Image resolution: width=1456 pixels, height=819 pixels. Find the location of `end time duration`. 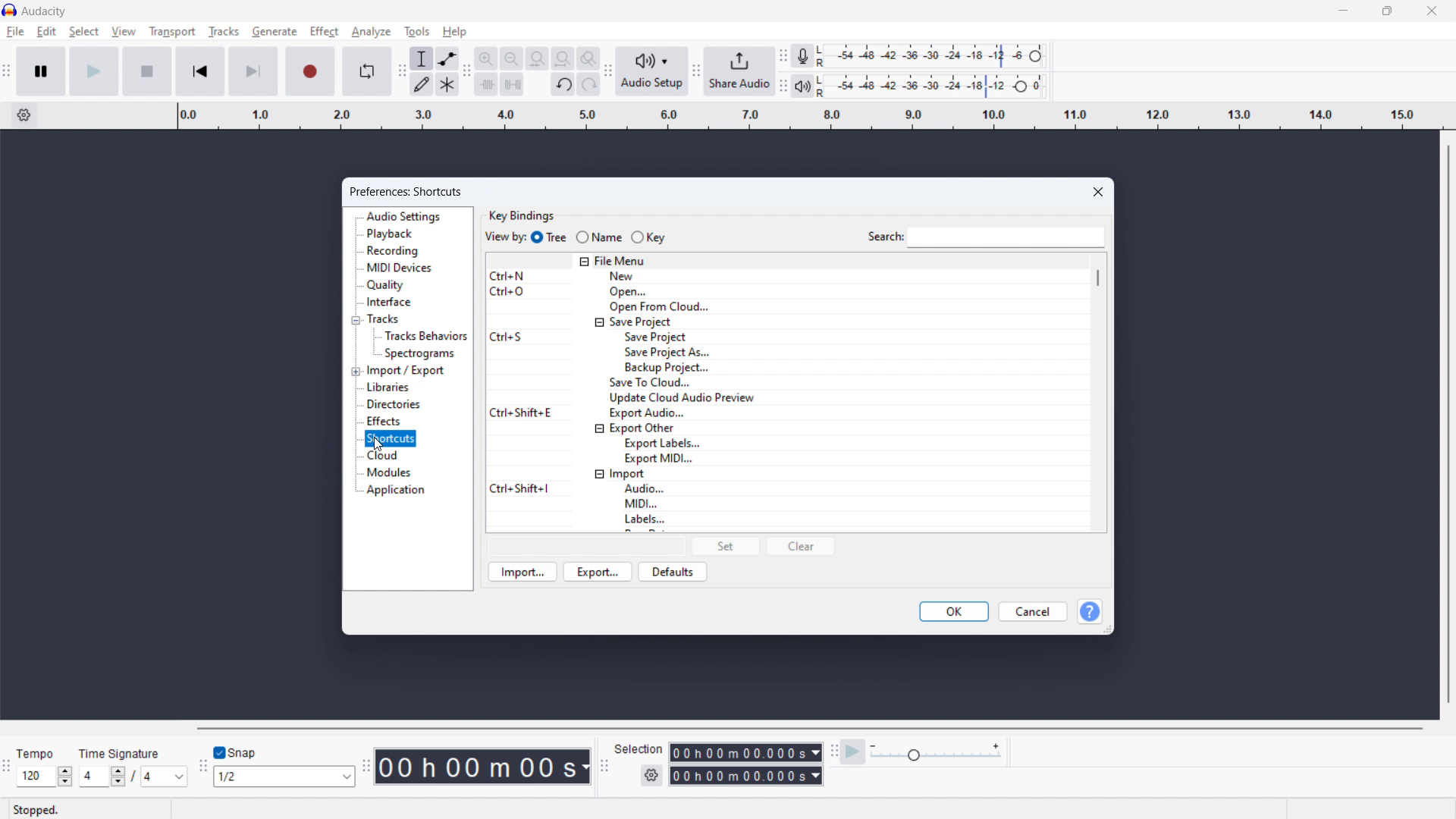

end time duration is located at coordinates (736, 776).